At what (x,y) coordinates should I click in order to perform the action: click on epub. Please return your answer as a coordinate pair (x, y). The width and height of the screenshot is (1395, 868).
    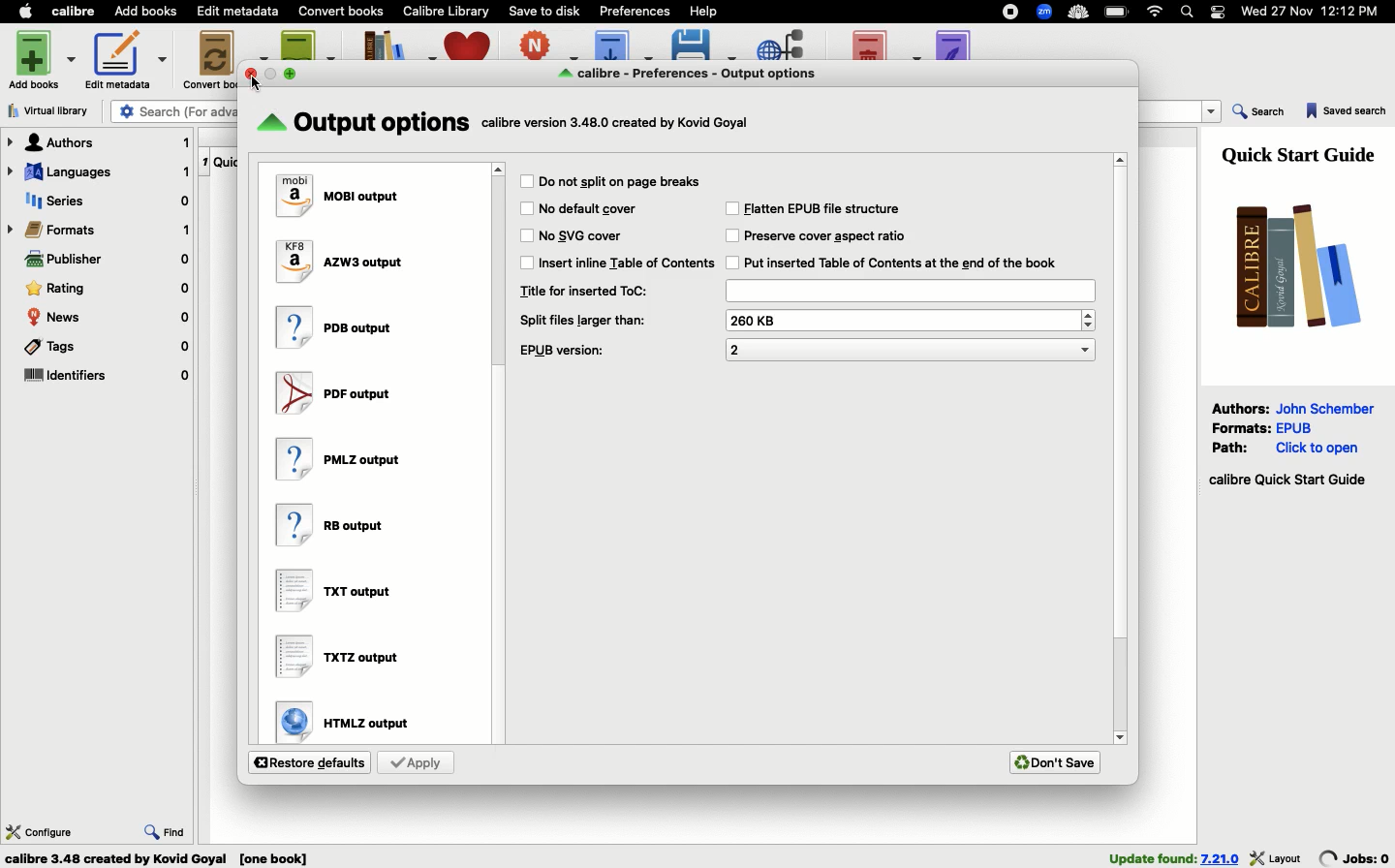
    Looking at the image, I should click on (1294, 427).